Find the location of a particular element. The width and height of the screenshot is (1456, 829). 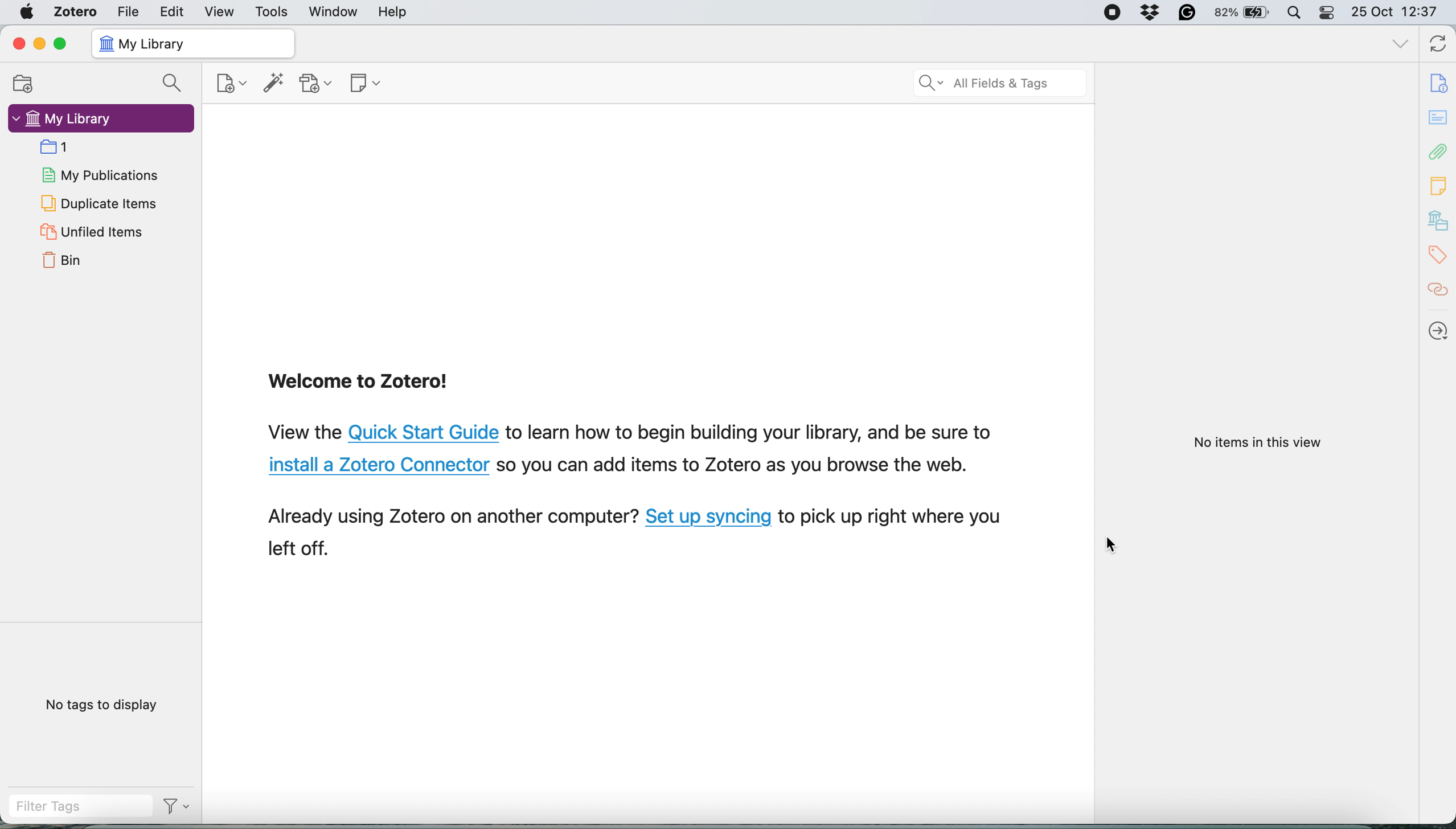

help is located at coordinates (396, 13).